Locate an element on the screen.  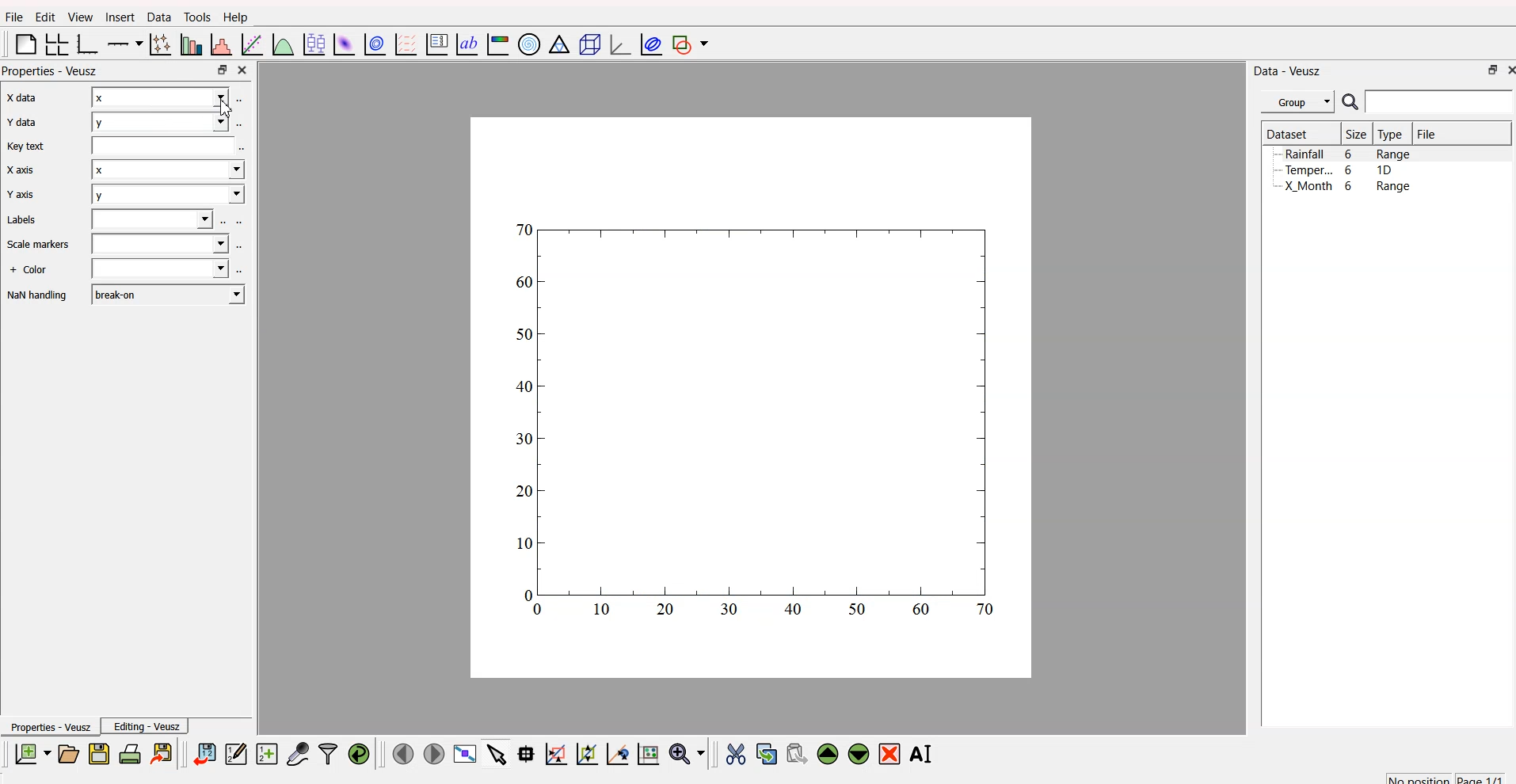
X axis is located at coordinates (22, 170).